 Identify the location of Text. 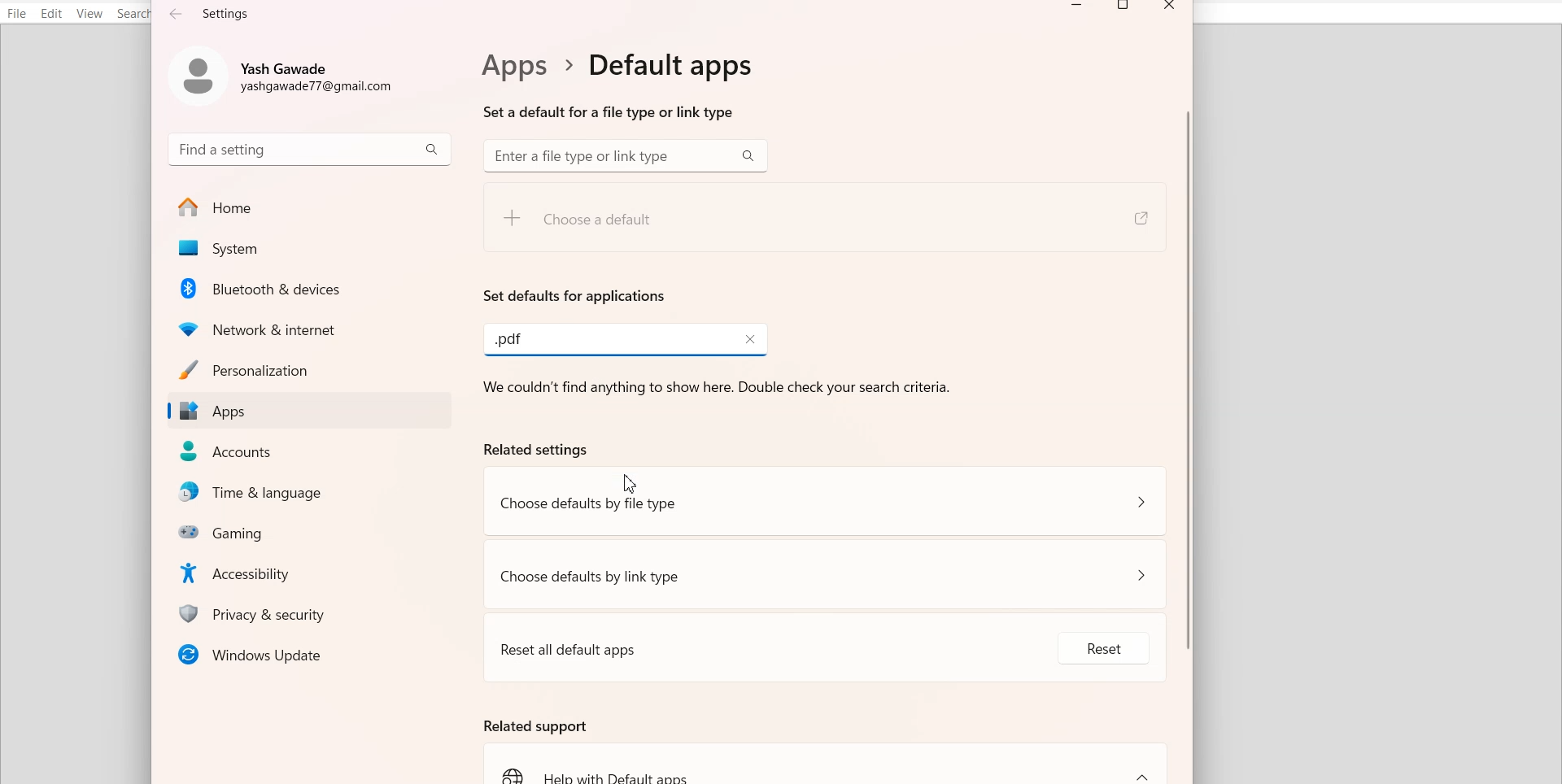
(613, 85).